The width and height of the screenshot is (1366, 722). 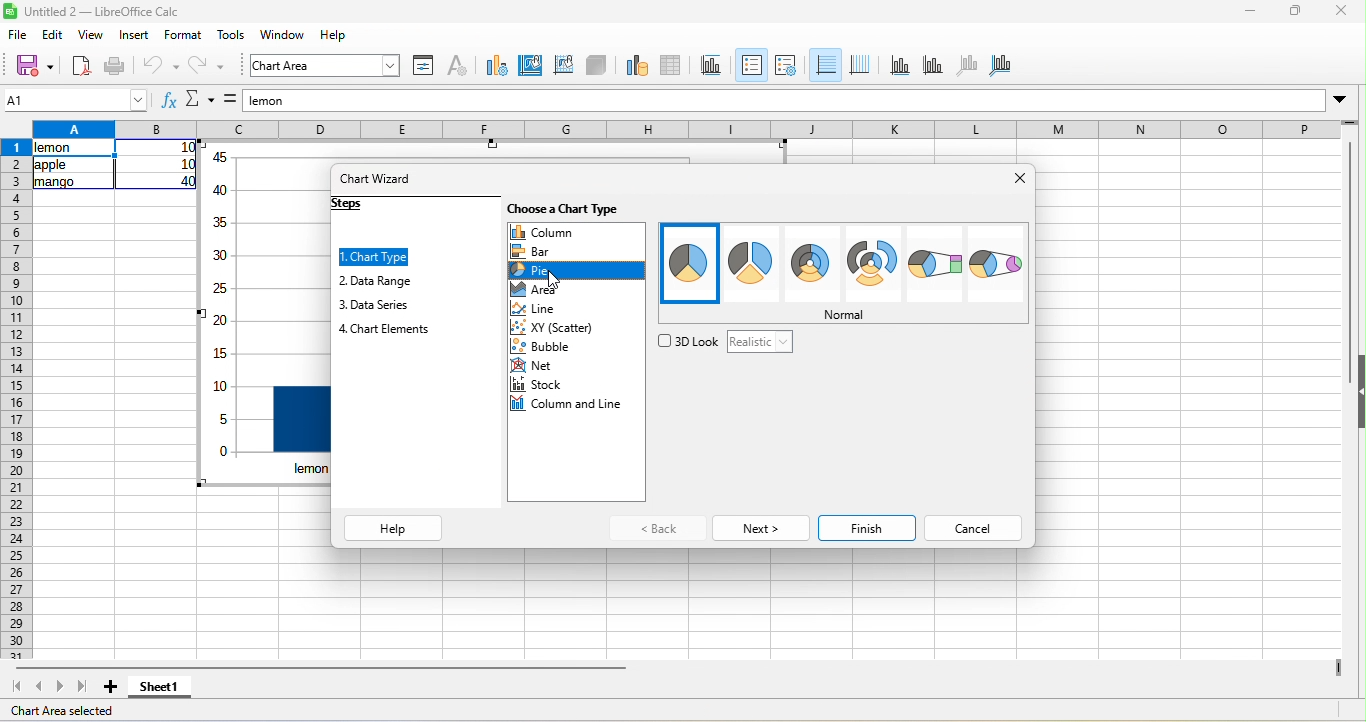 What do you see at coordinates (1342, 100) in the screenshot?
I see `Drop-down ` at bounding box center [1342, 100].